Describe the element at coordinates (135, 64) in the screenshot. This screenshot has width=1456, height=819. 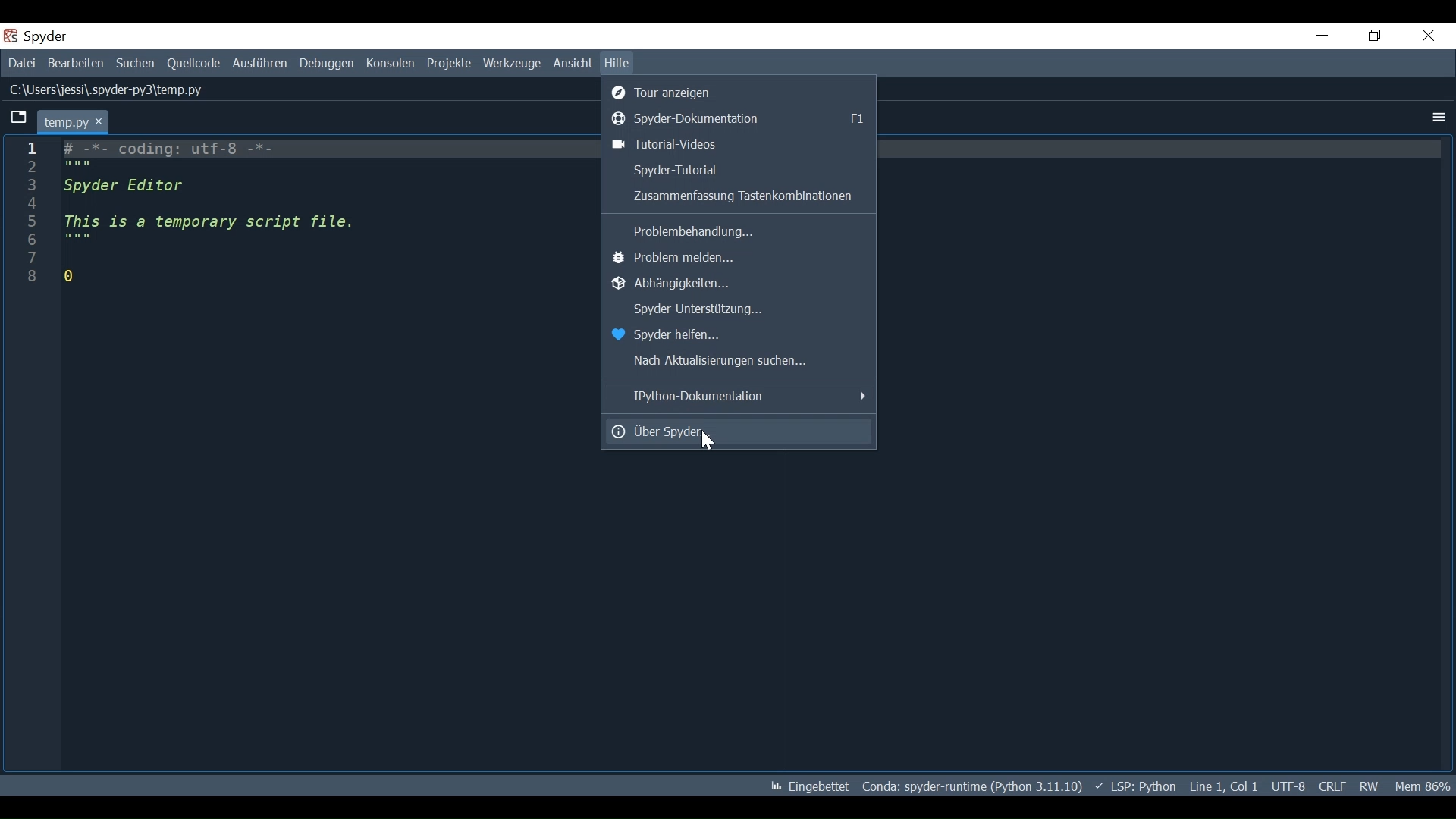
I see `Search` at that location.